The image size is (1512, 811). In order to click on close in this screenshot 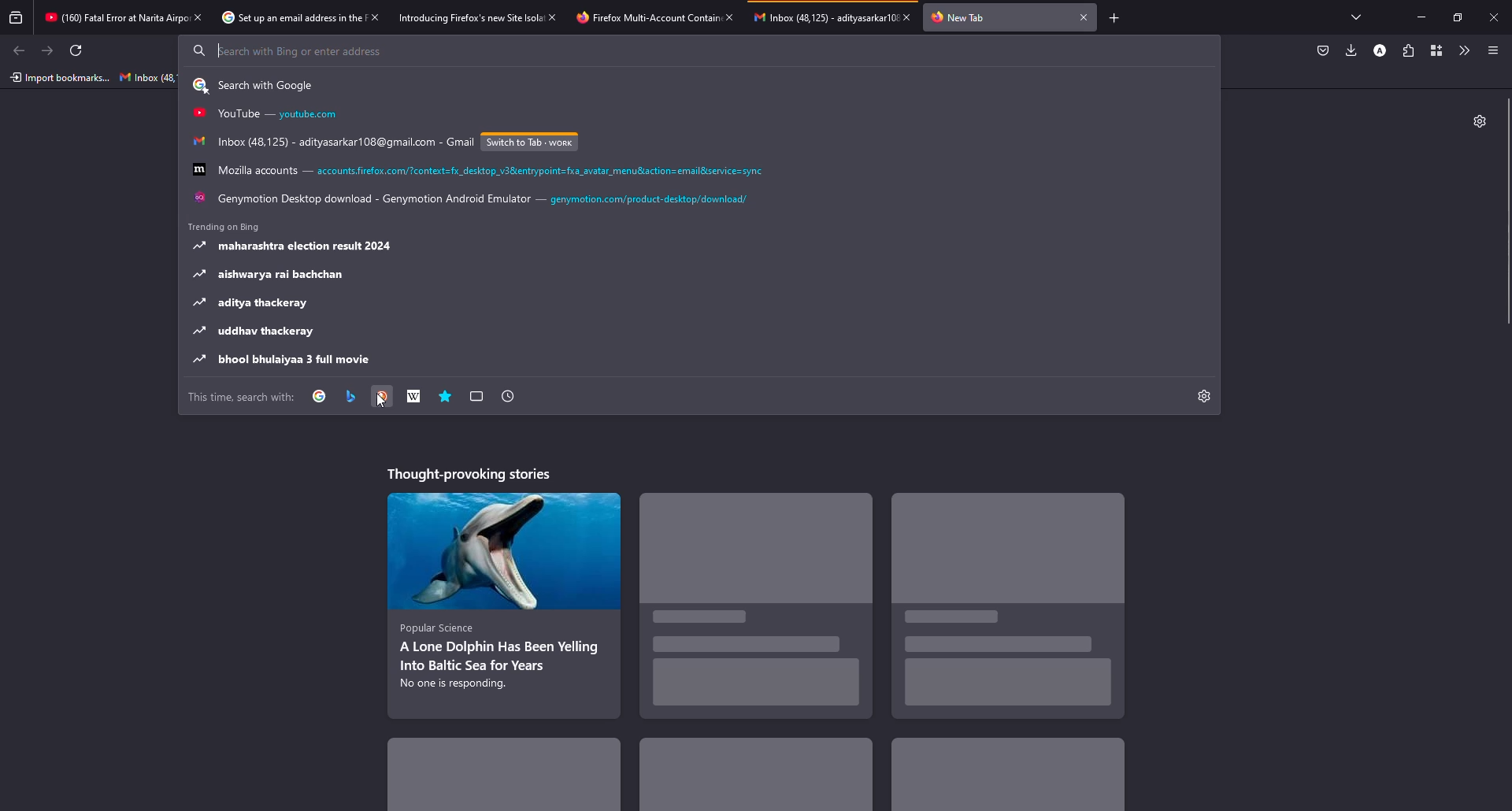, I will do `click(1084, 17)`.